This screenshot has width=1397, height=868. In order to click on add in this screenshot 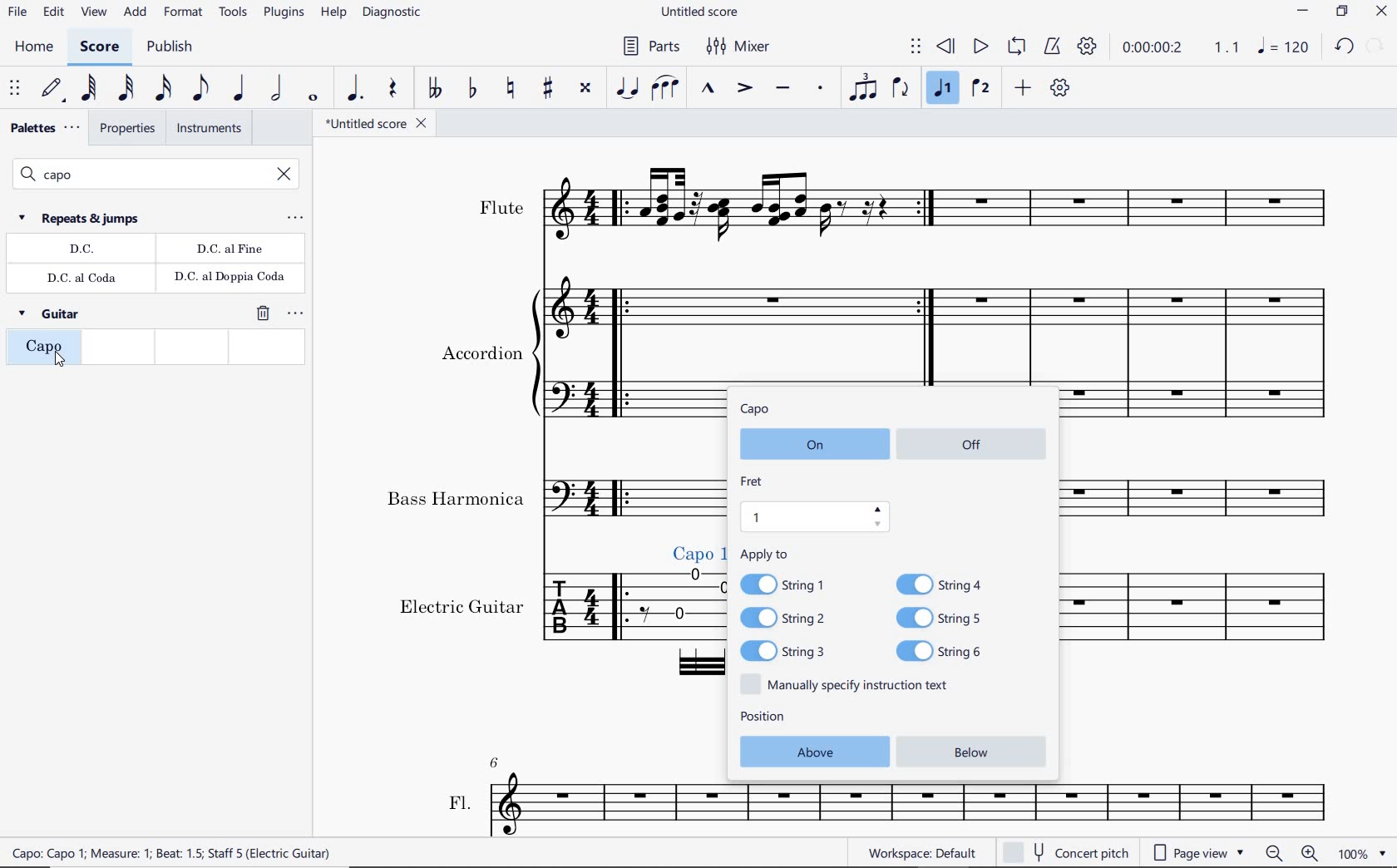, I will do `click(136, 14)`.